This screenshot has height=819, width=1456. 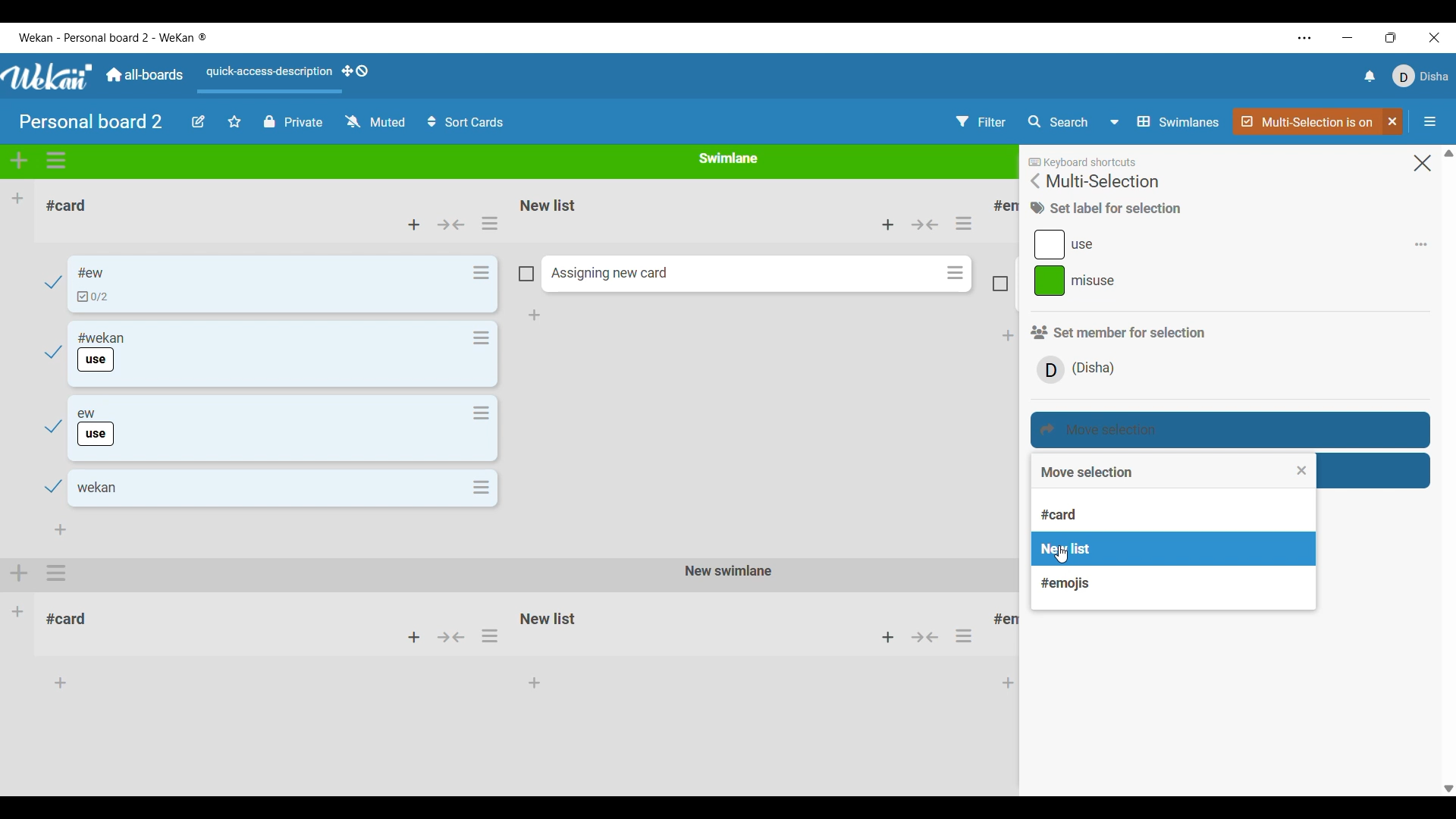 What do you see at coordinates (375, 121) in the screenshot?
I see `Watch options` at bounding box center [375, 121].